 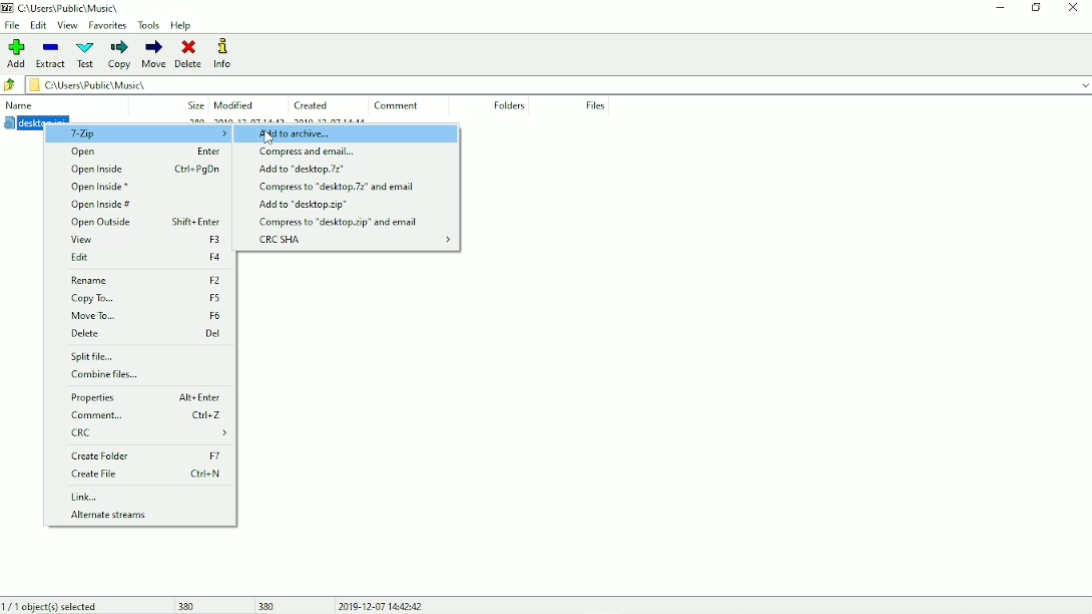 What do you see at coordinates (267, 605) in the screenshot?
I see `380` at bounding box center [267, 605].